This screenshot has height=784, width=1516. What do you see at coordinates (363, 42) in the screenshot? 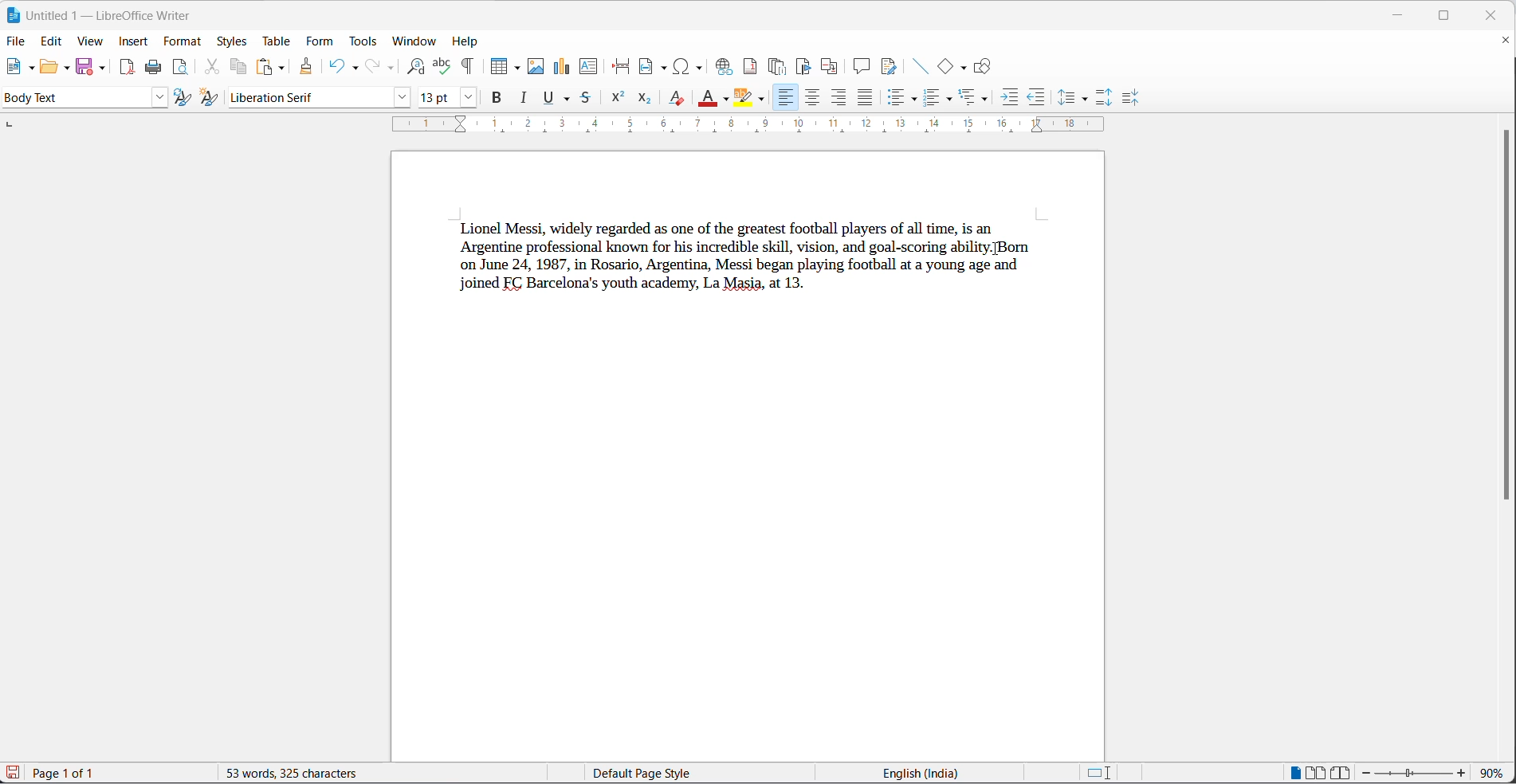
I see `tools` at bounding box center [363, 42].